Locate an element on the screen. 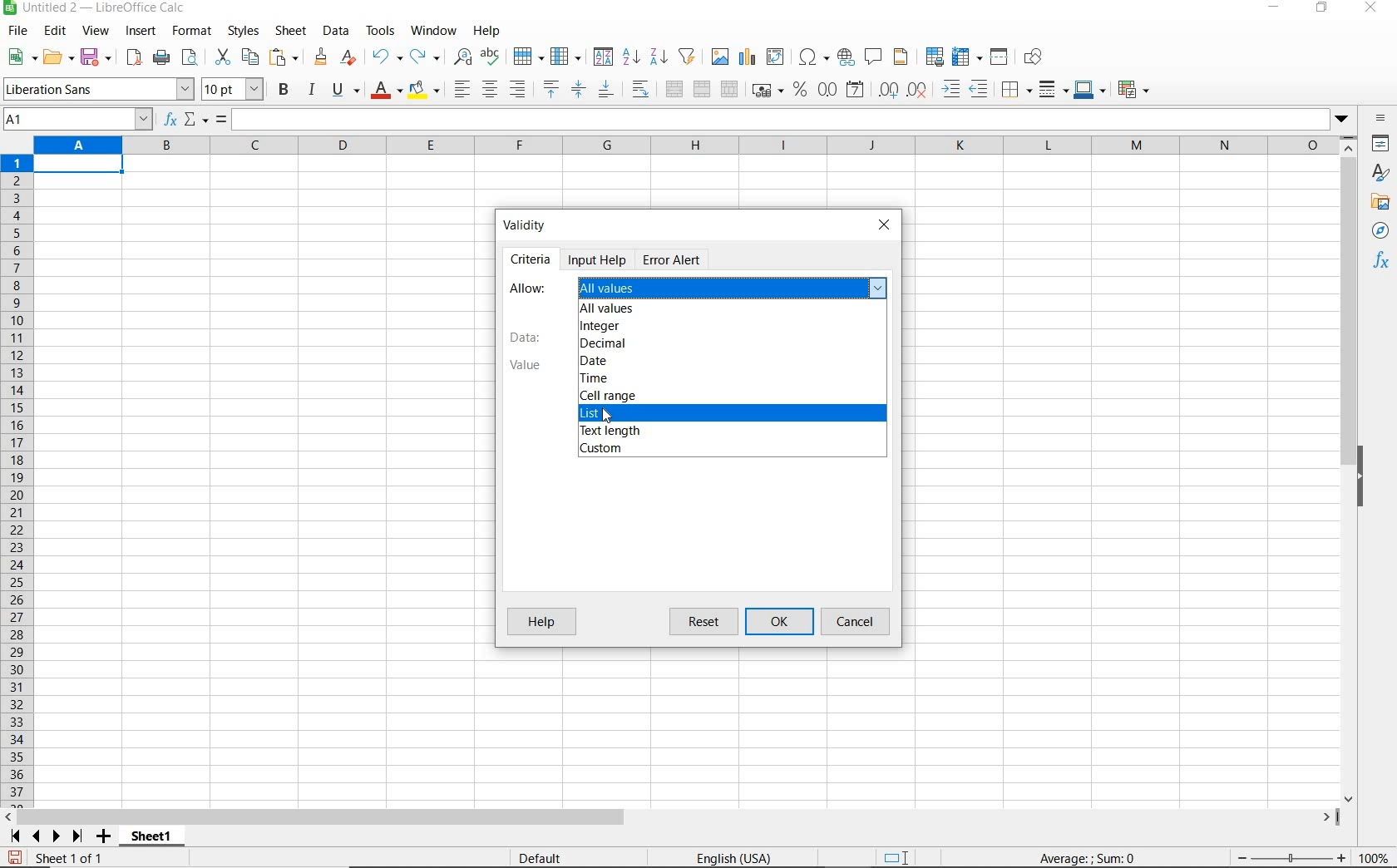 Image resolution: width=1397 pixels, height=868 pixels. help is located at coordinates (541, 621).